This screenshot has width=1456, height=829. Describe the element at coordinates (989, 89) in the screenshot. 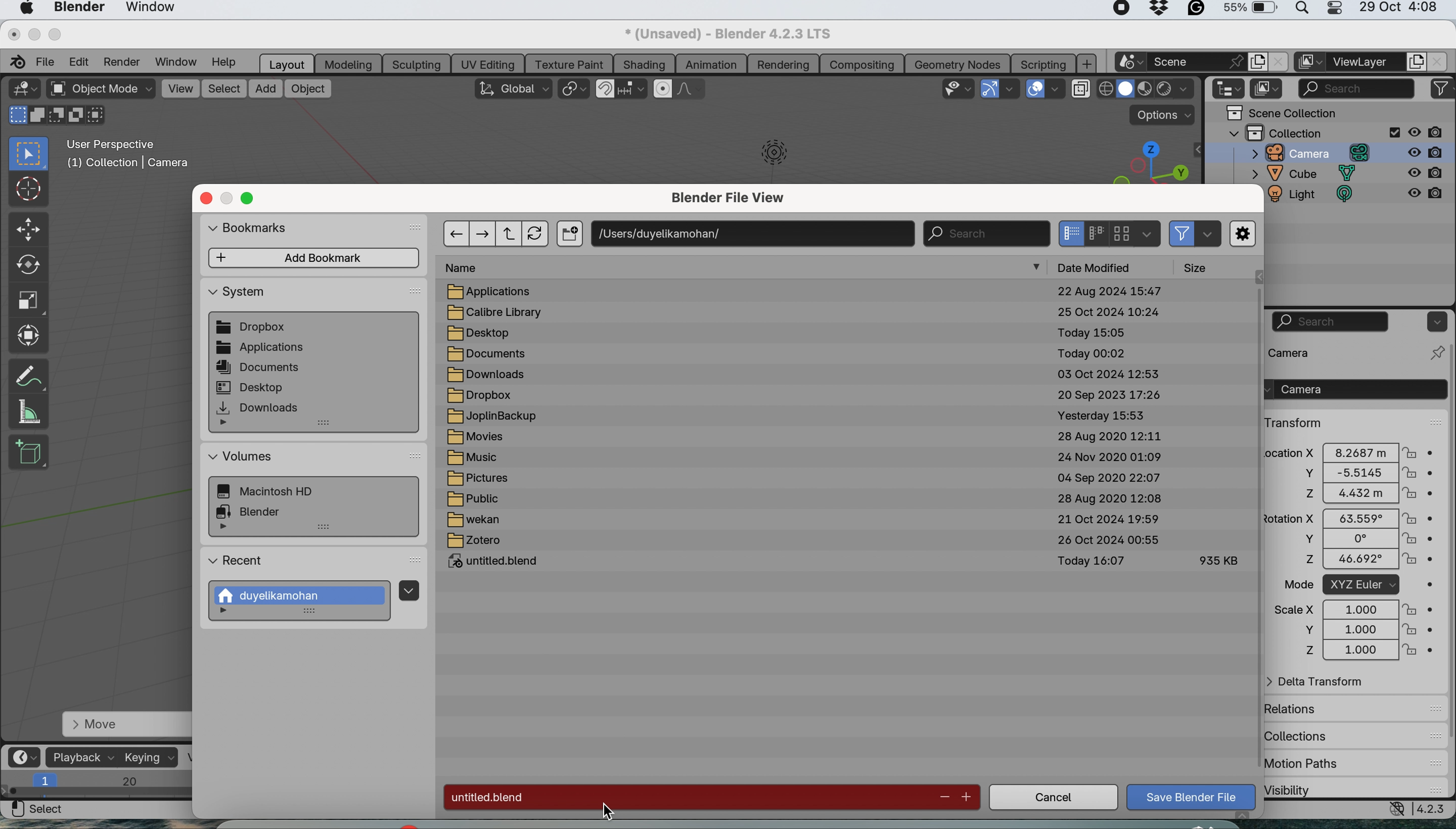

I see `show gizmos` at that location.